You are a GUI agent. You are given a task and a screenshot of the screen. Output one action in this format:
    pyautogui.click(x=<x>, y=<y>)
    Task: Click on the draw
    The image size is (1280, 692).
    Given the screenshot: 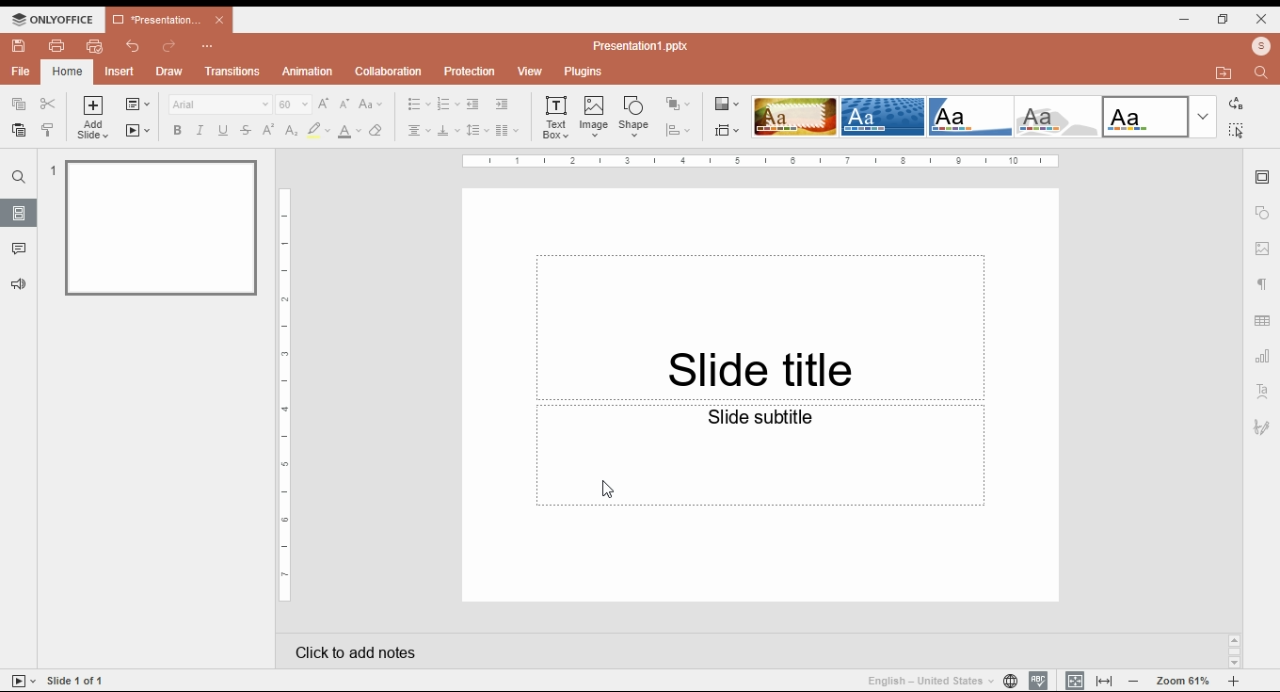 What is the action you would take?
    pyautogui.click(x=171, y=71)
    